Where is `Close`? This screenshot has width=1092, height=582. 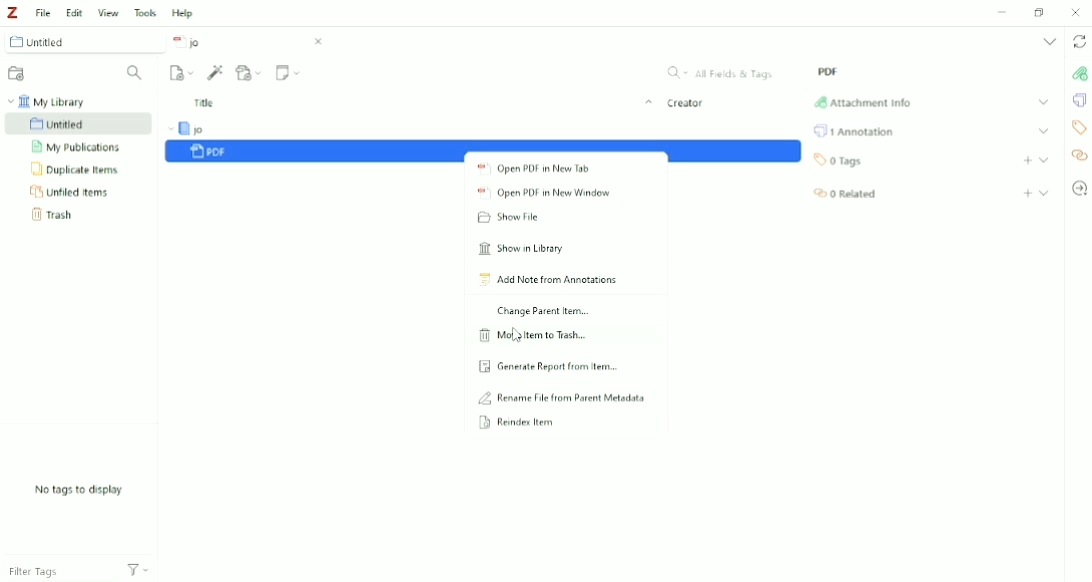 Close is located at coordinates (1076, 12).